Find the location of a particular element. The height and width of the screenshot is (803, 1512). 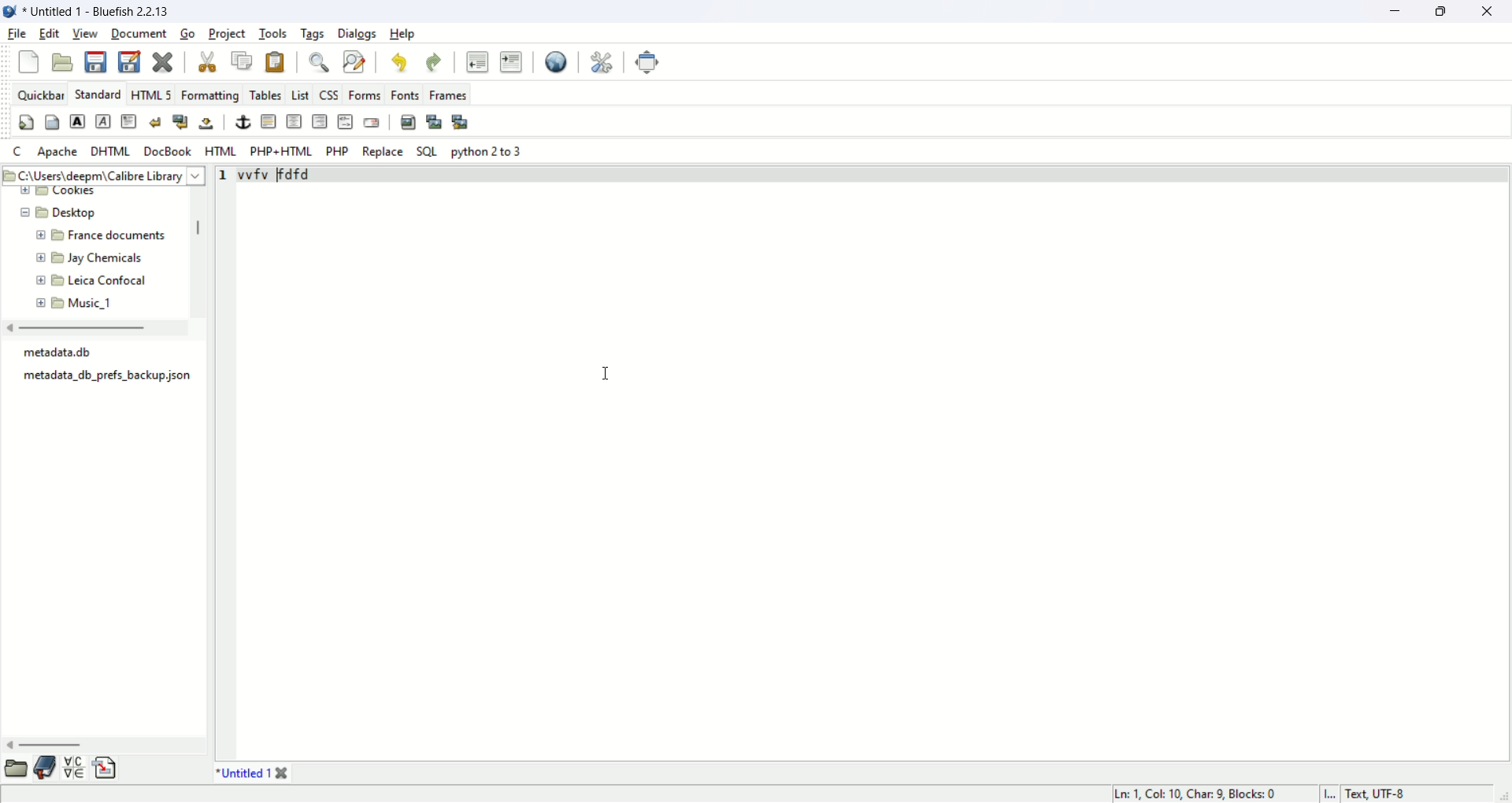

folder name is located at coordinates (101, 279).